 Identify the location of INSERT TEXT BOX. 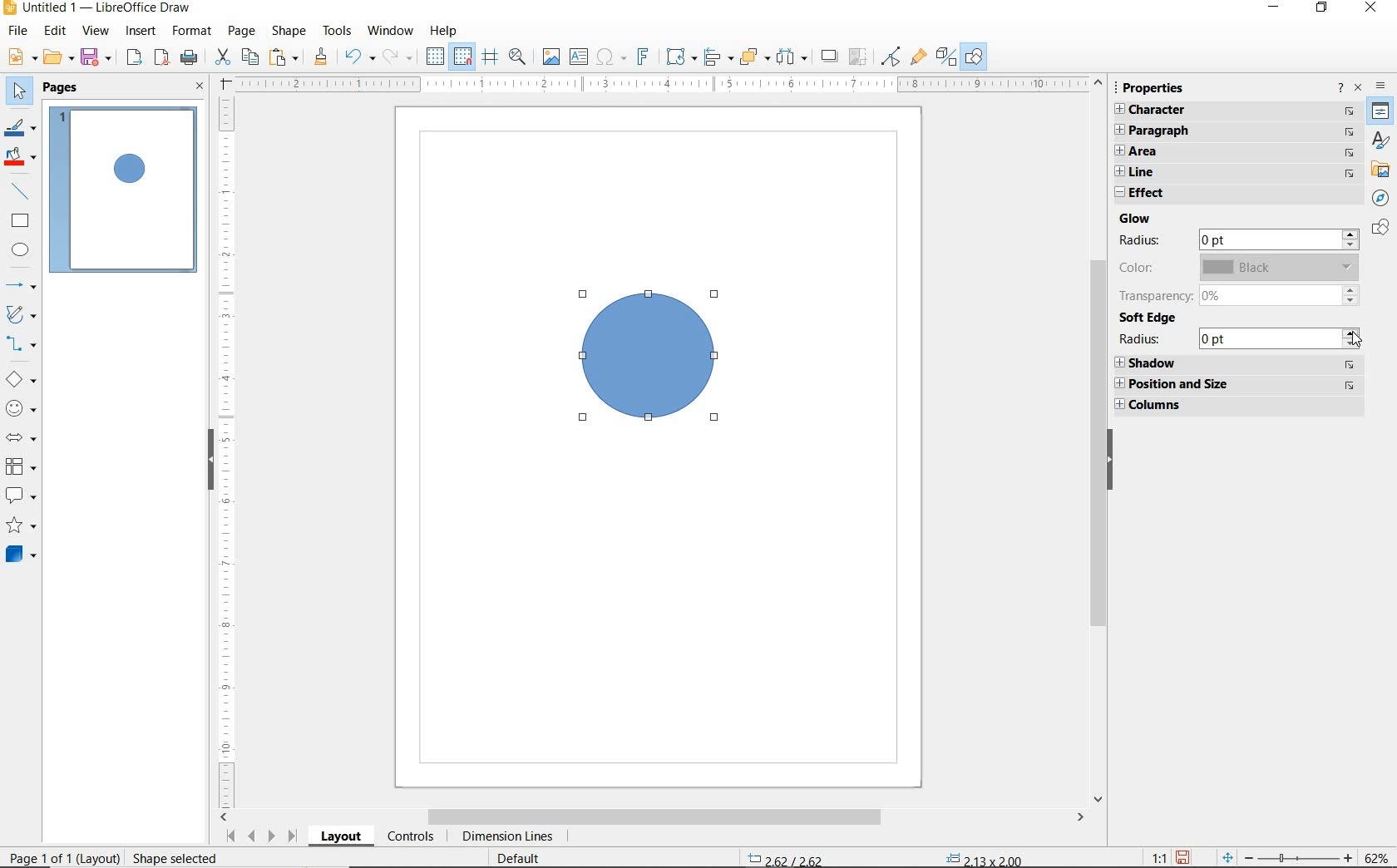
(578, 57).